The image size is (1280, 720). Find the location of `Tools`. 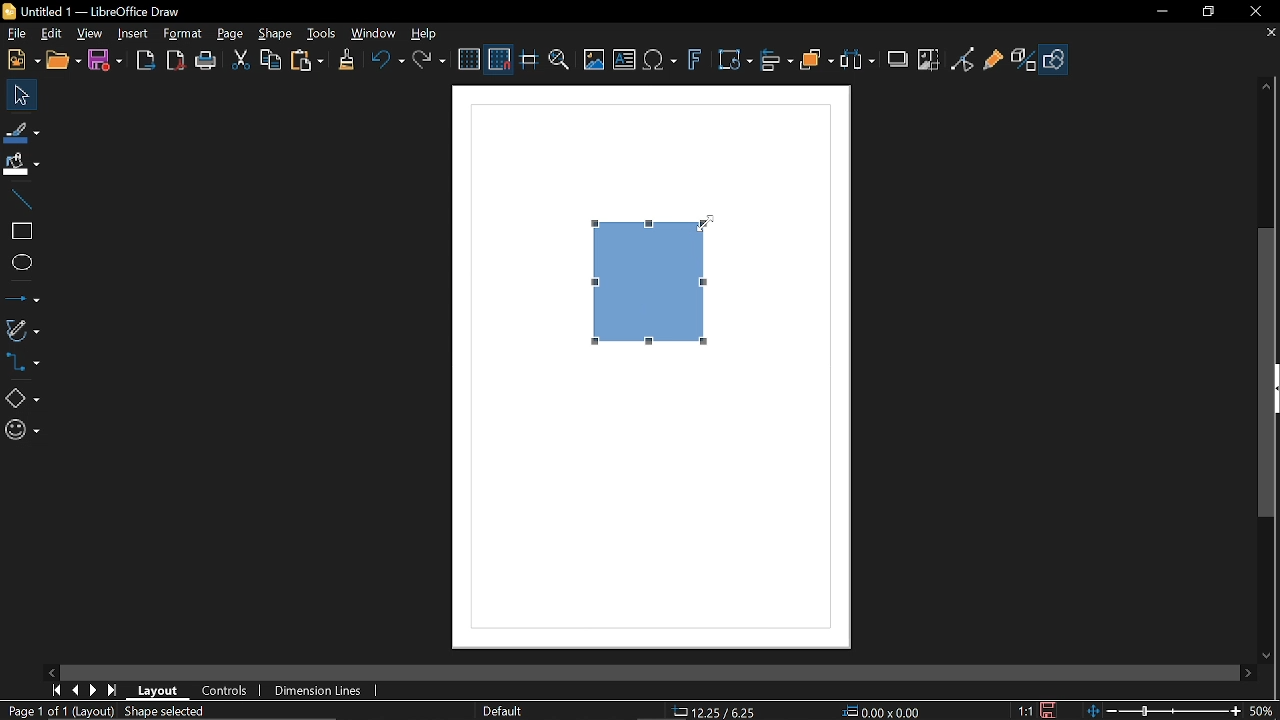

Tools is located at coordinates (322, 33).